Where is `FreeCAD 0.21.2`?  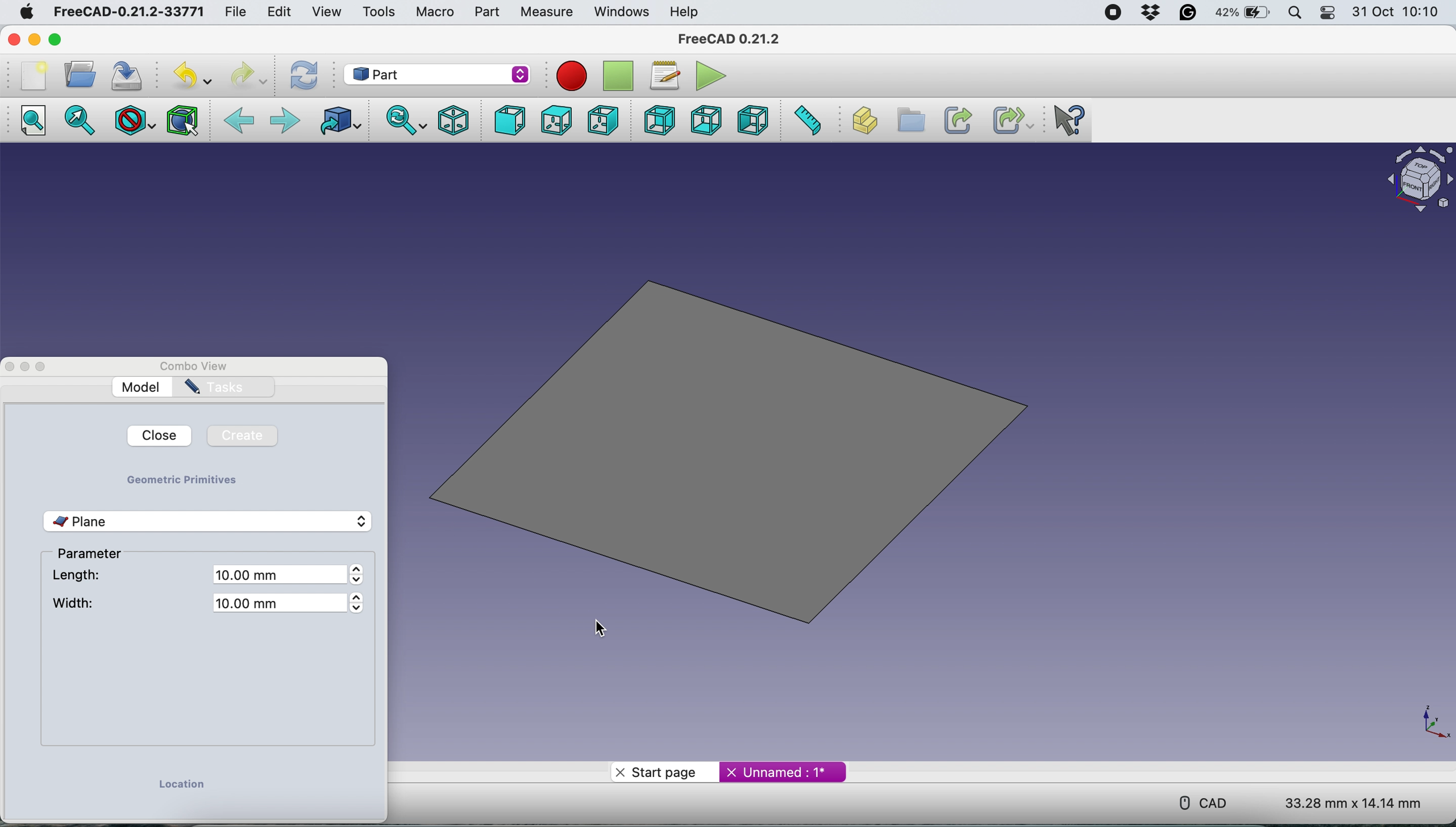
FreeCAD 0.21.2 is located at coordinates (733, 40).